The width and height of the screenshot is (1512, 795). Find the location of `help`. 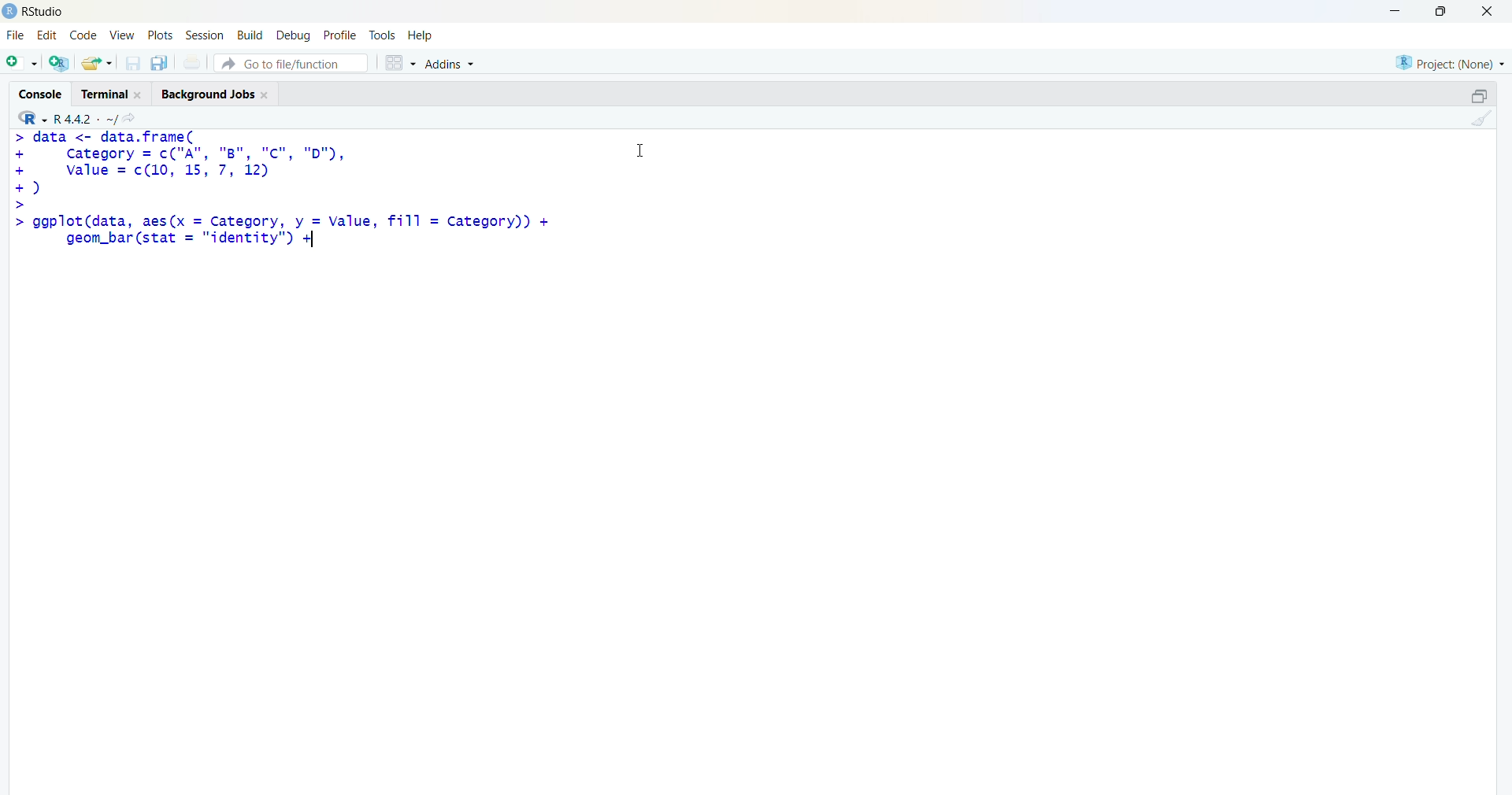

help is located at coordinates (423, 35).